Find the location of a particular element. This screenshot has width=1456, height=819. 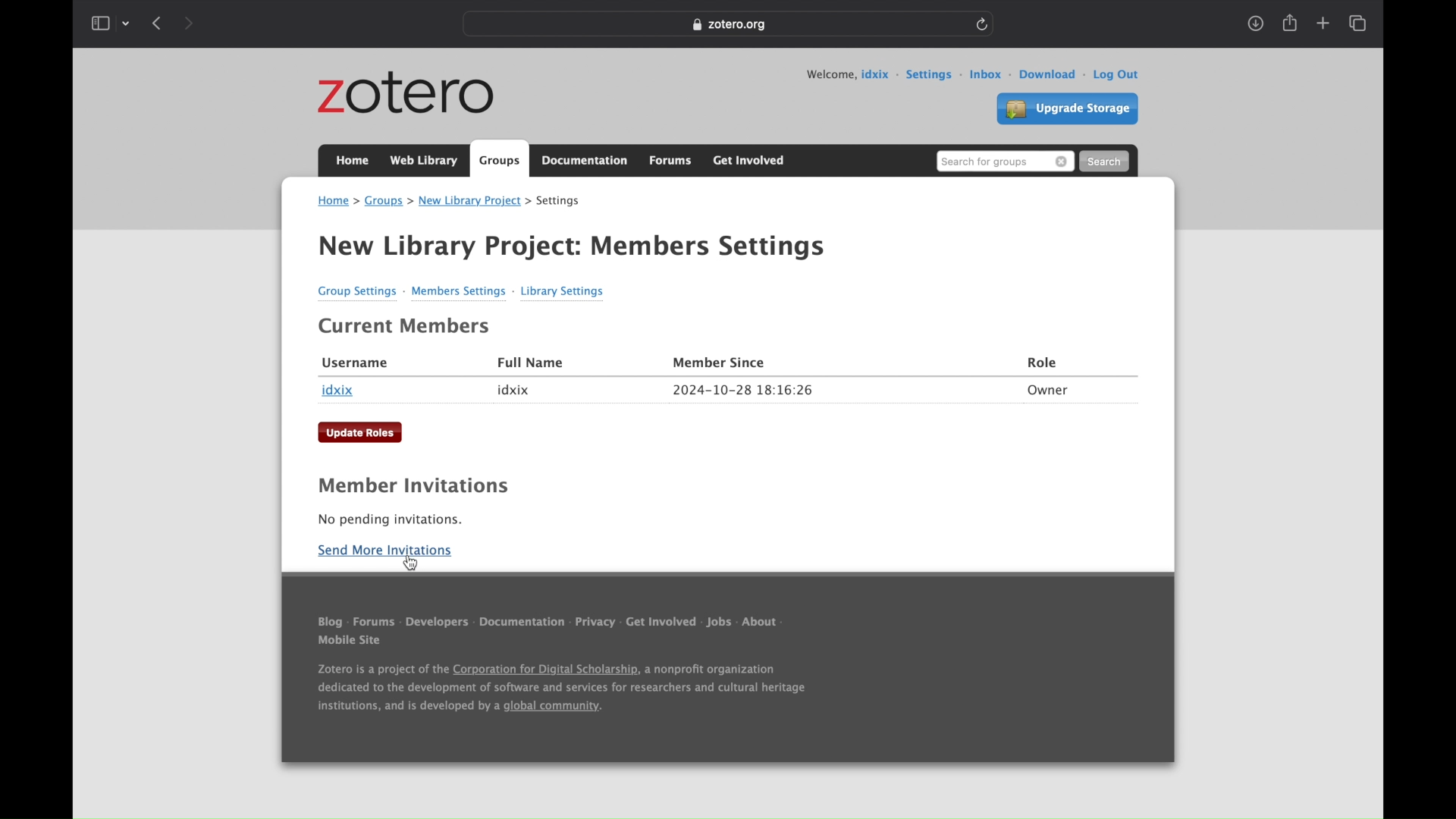

jobs is located at coordinates (720, 622).